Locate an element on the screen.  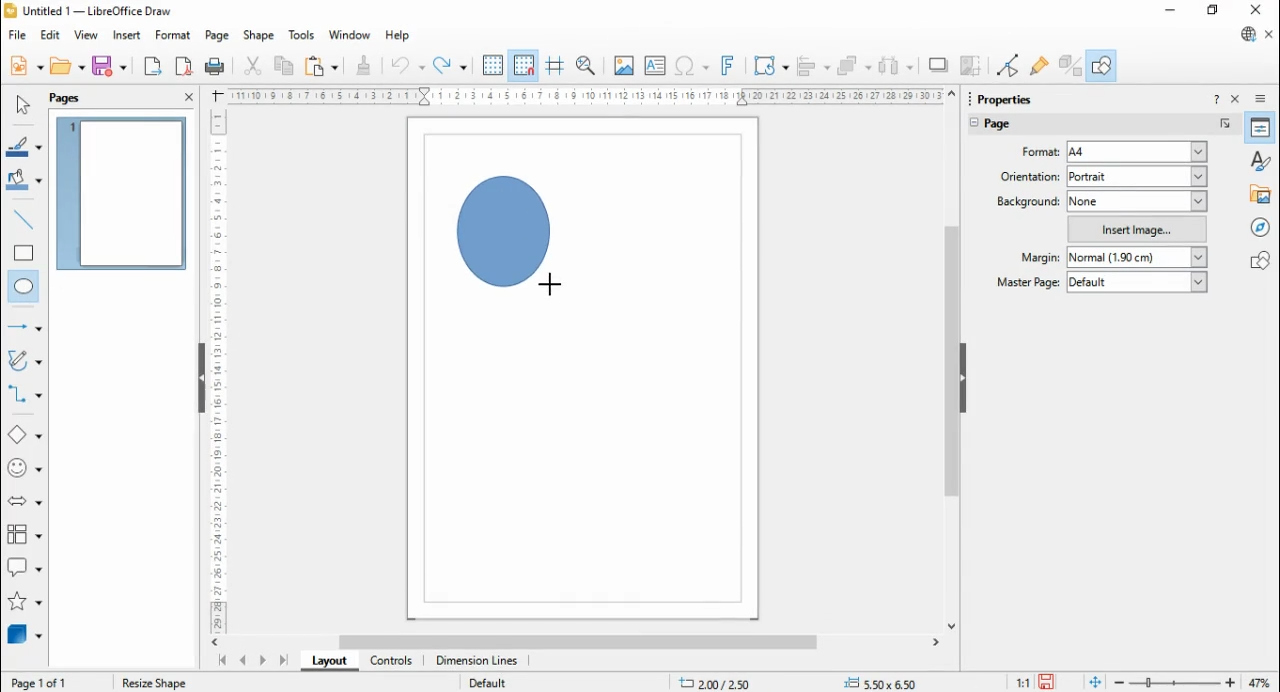
hide is located at coordinates (962, 379).